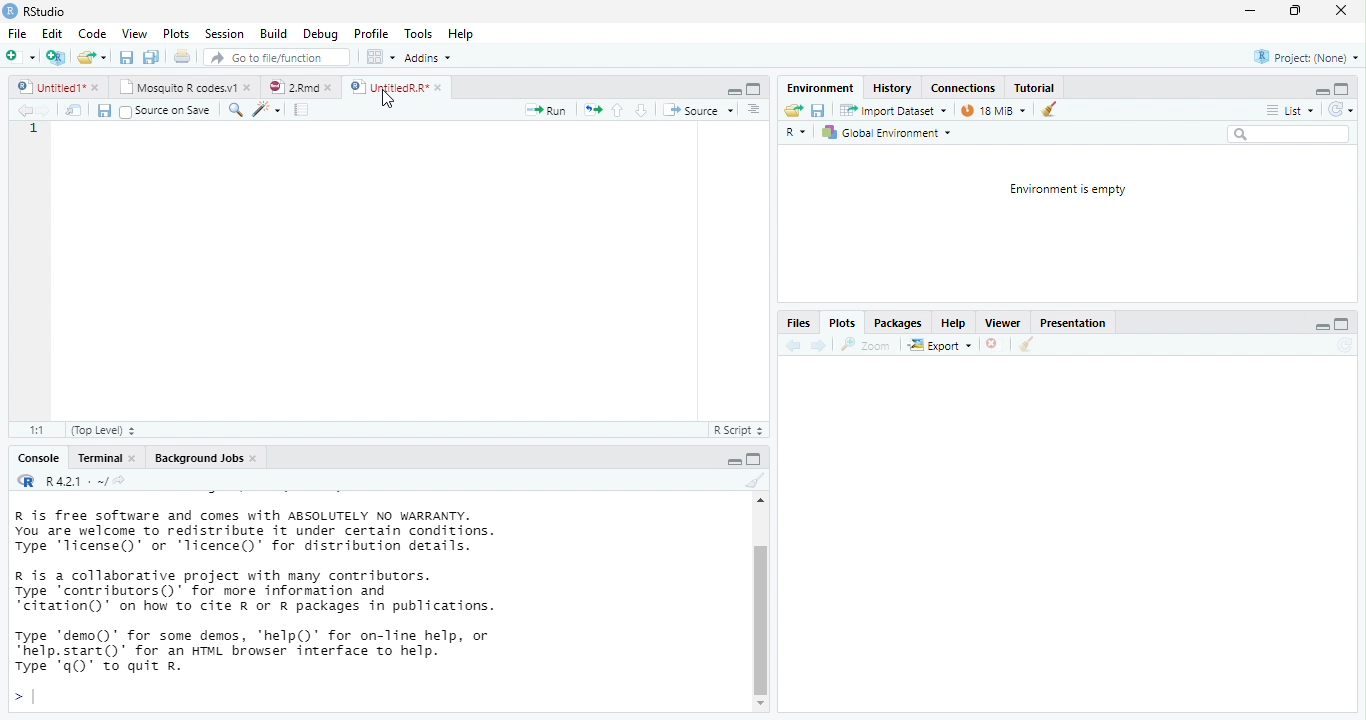 The width and height of the screenshot is (1366, 720). I want to click on print current file, so click(151, 57).